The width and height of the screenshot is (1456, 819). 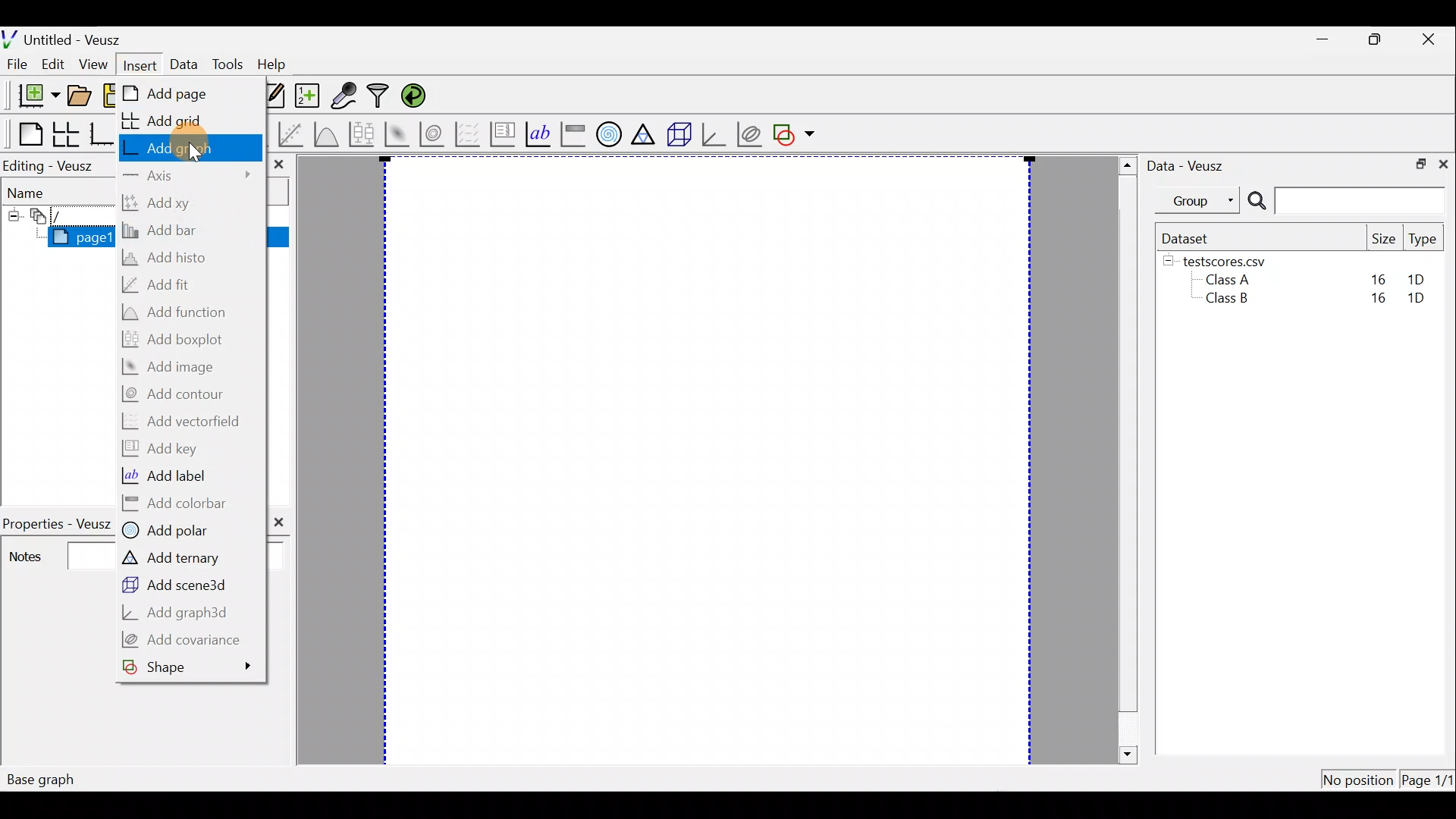 What do you see at coordinates (292, 133) in the screenshot?
I see `Fit a function to data` at bounding box center [292, 133].